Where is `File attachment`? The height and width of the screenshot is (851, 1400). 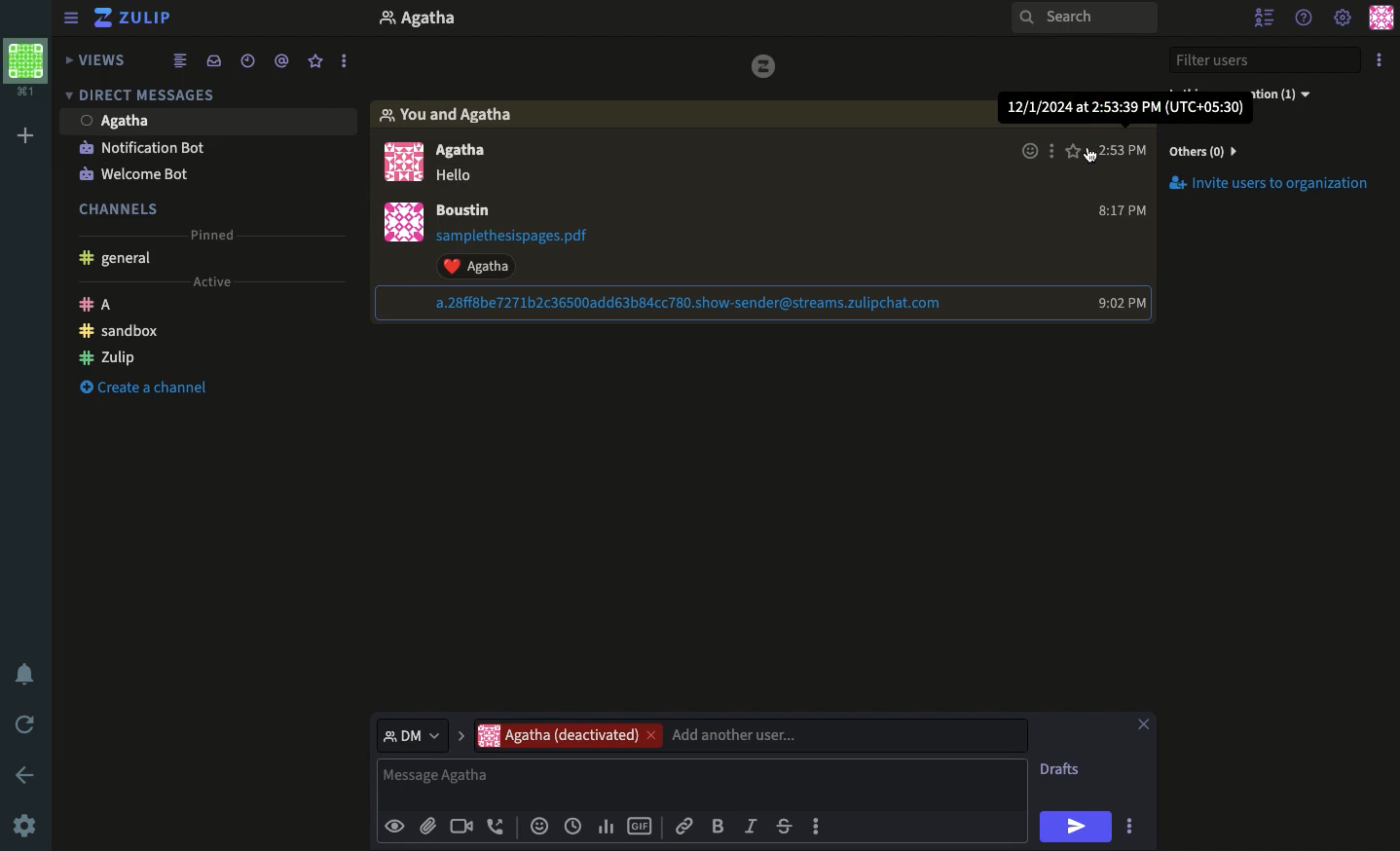
File attachment is located at coordinates (428, 824).